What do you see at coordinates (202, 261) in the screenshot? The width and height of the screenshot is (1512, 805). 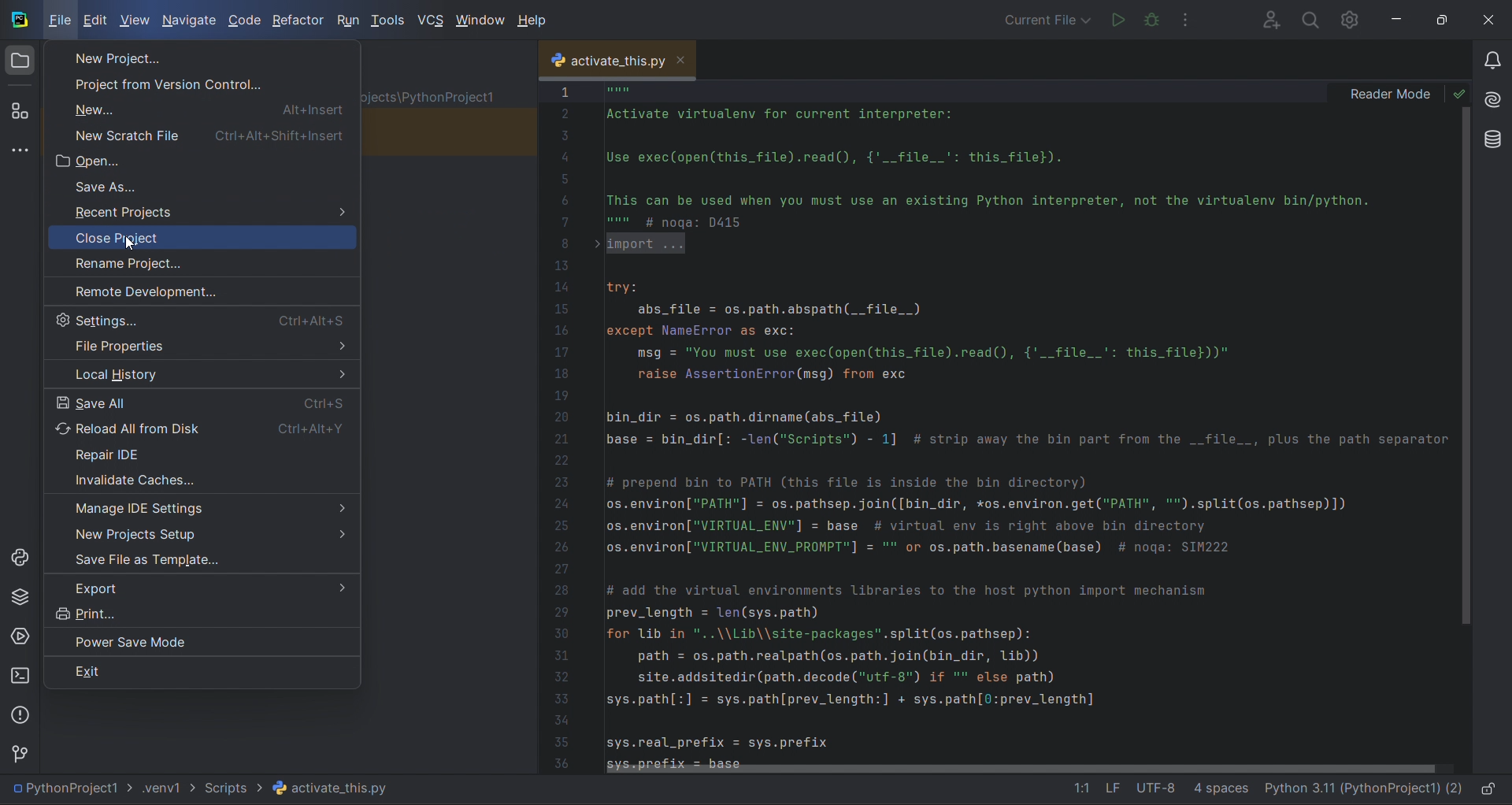 I see `rename project` at bounding box center [202, 261].